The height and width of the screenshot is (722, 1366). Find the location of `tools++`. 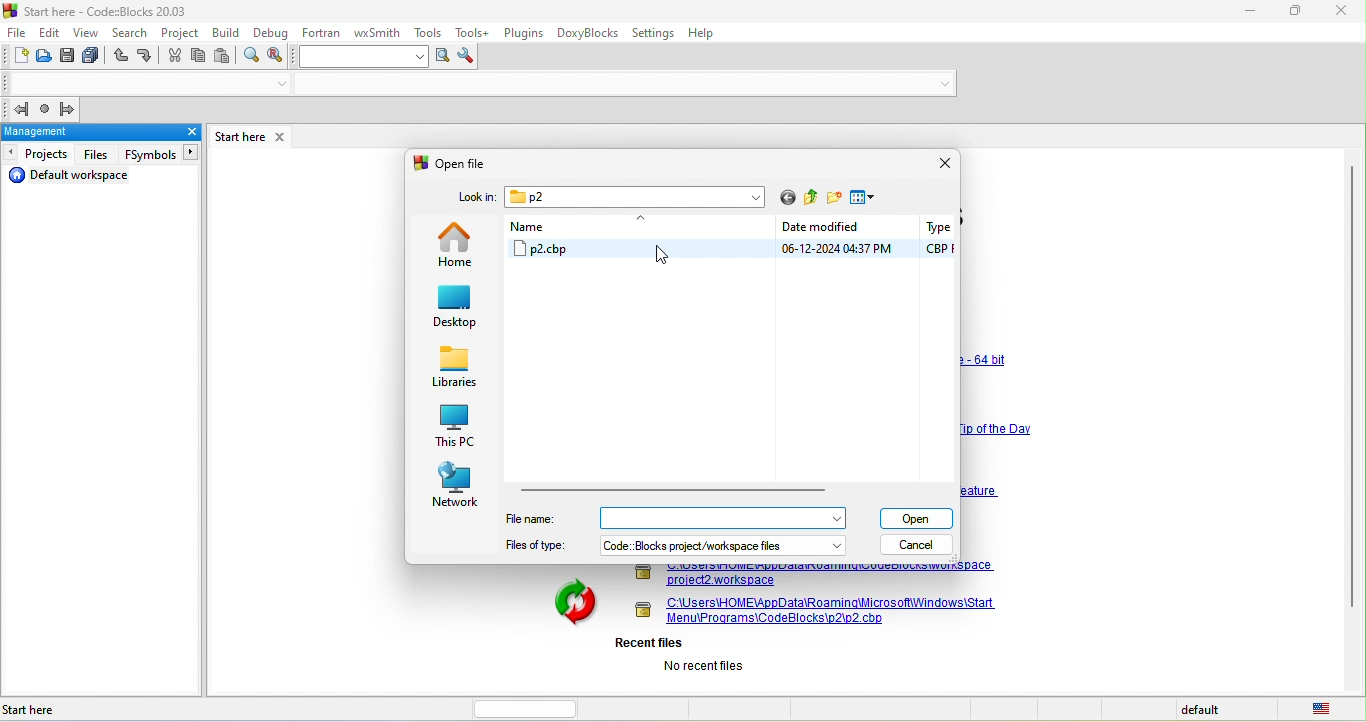

tools++ is located at coordinates (475, 34).